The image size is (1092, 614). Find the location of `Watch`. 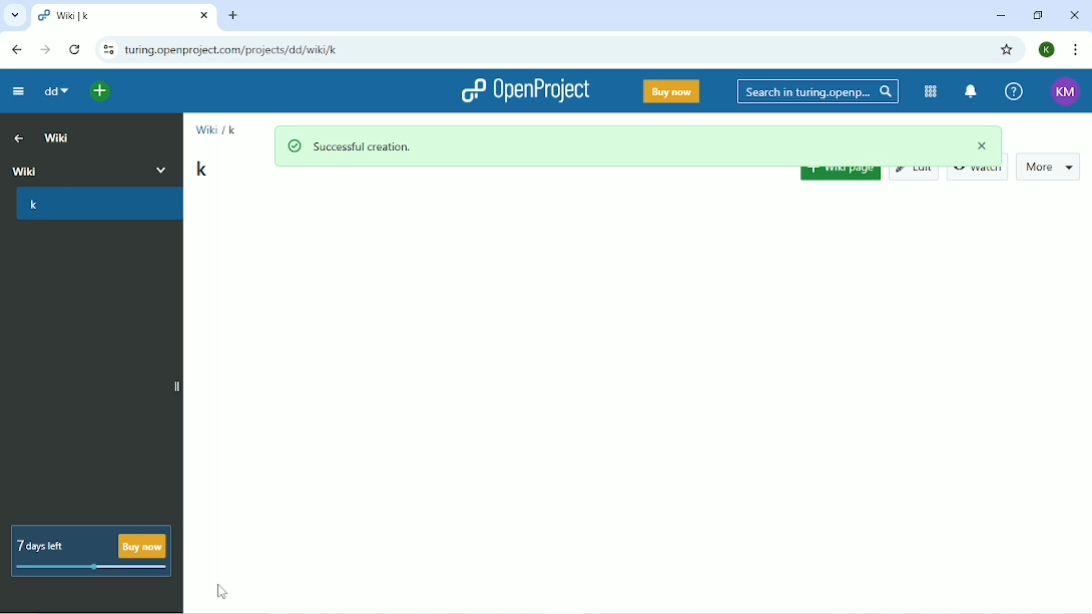

Watch is located at coordinates (979, 171).